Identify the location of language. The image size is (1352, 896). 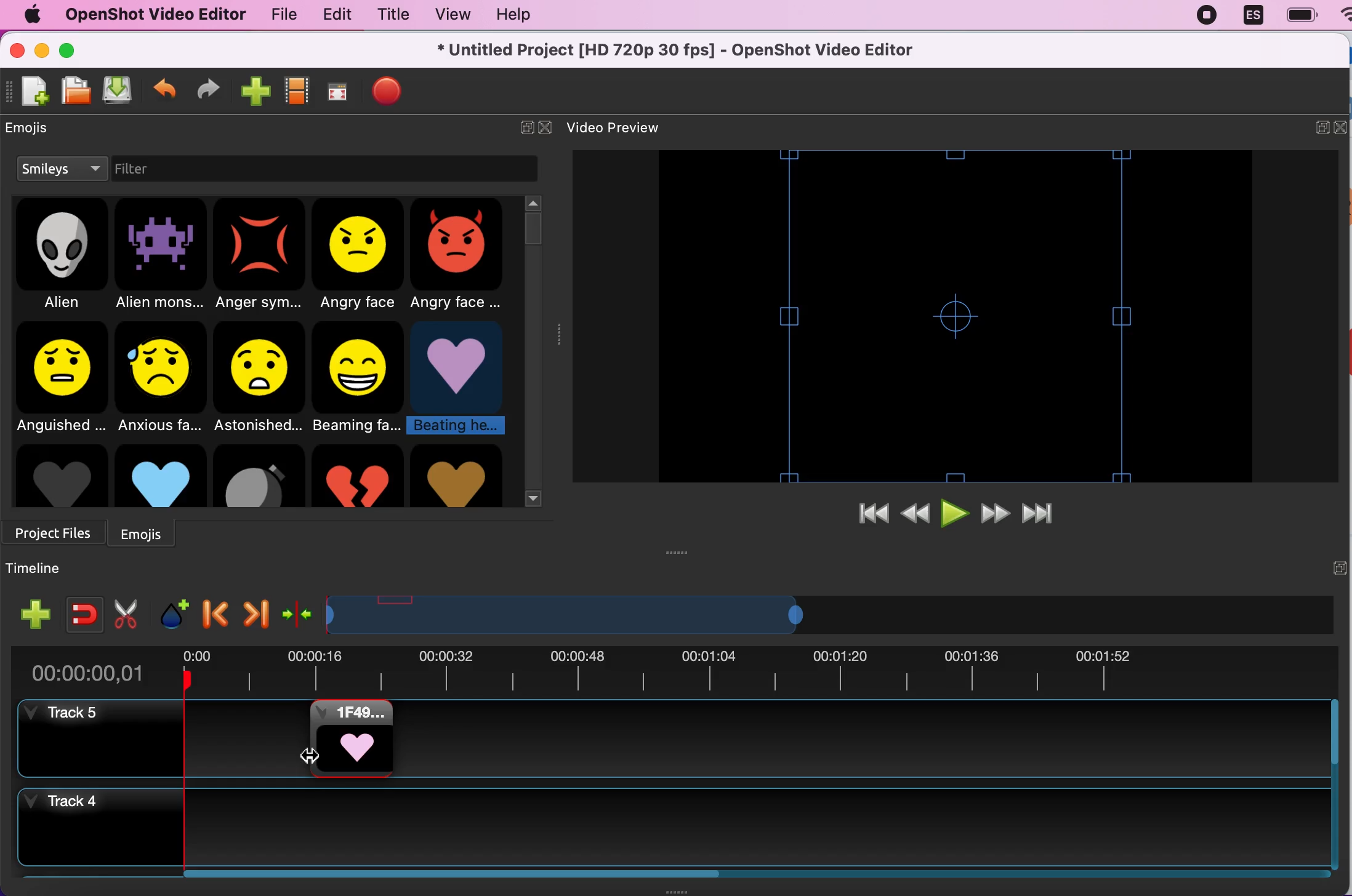
(1248, 15).